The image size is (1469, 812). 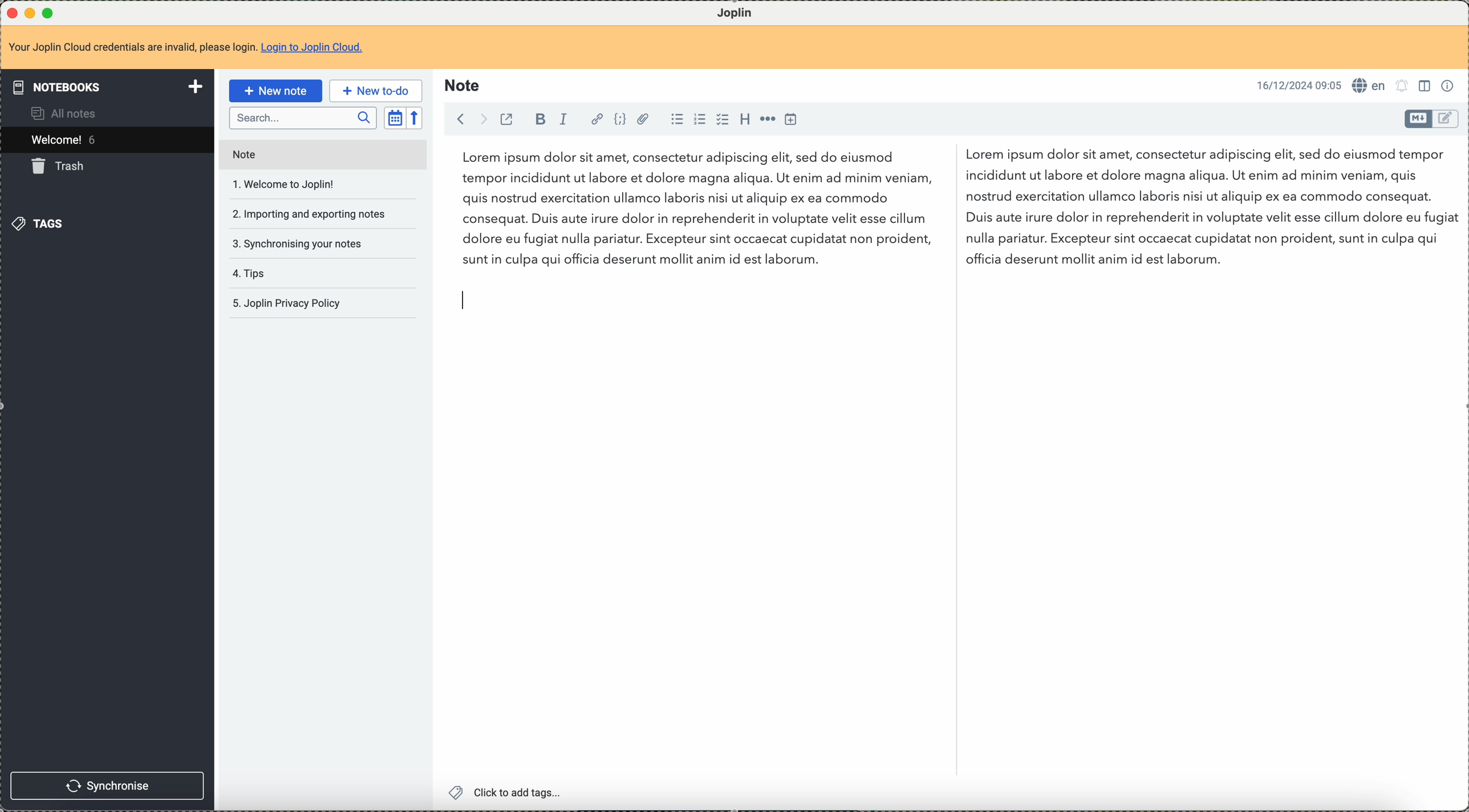 What do you see at coordinates (289, 185) in the screenshot?
I see `welcome to joplin` at bounding box center [289, 185].